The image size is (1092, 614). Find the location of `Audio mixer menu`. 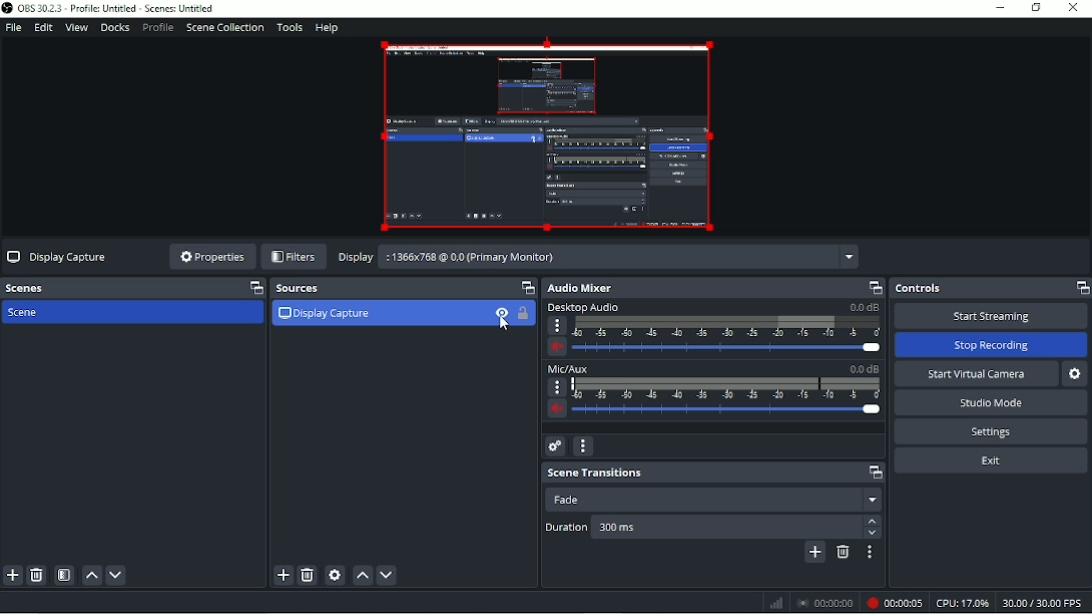

Audio mixer menu is located at coordinates (584, 445).